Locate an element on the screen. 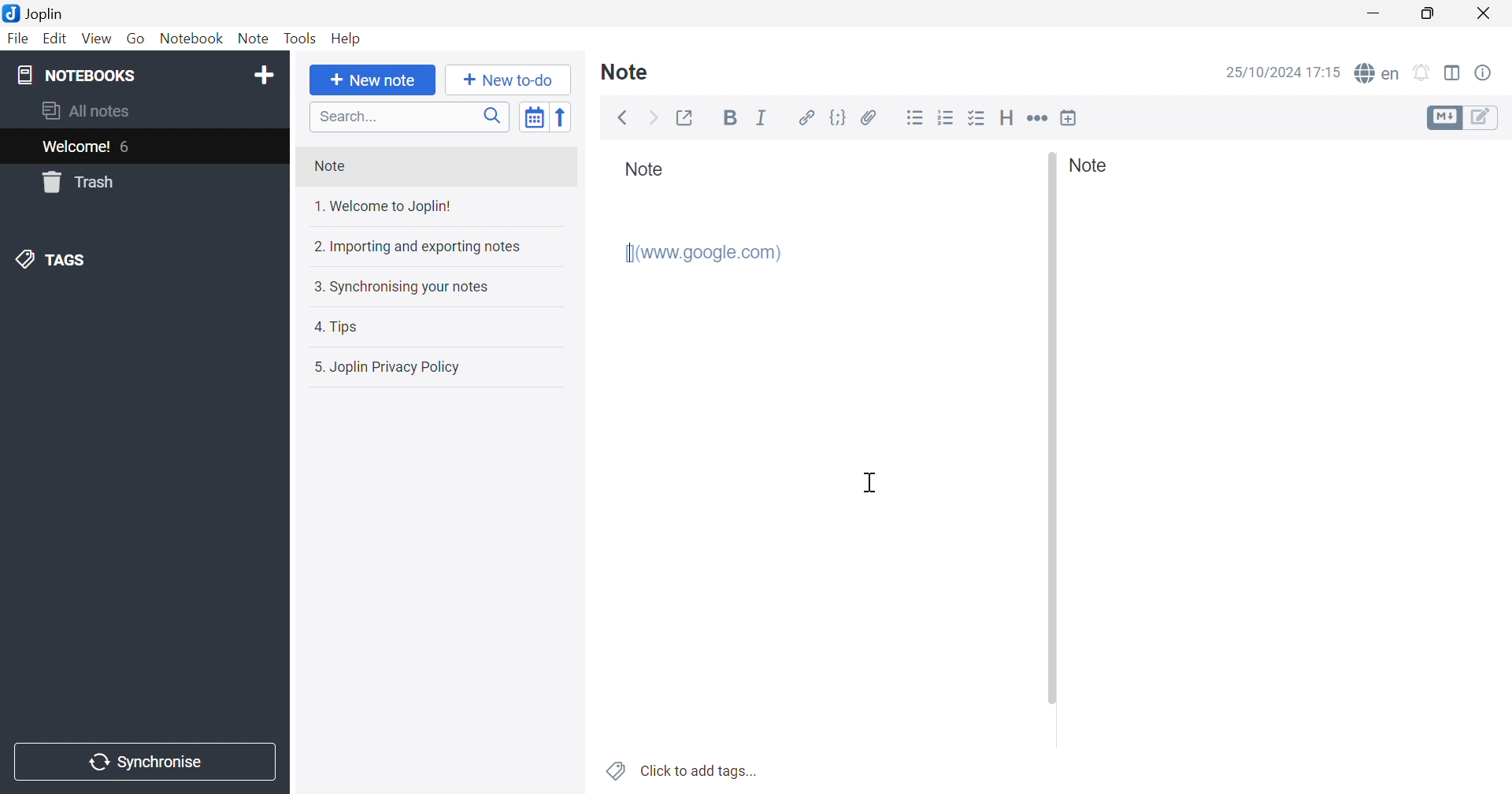  Add new notebook is located at coordinates (265, 77).